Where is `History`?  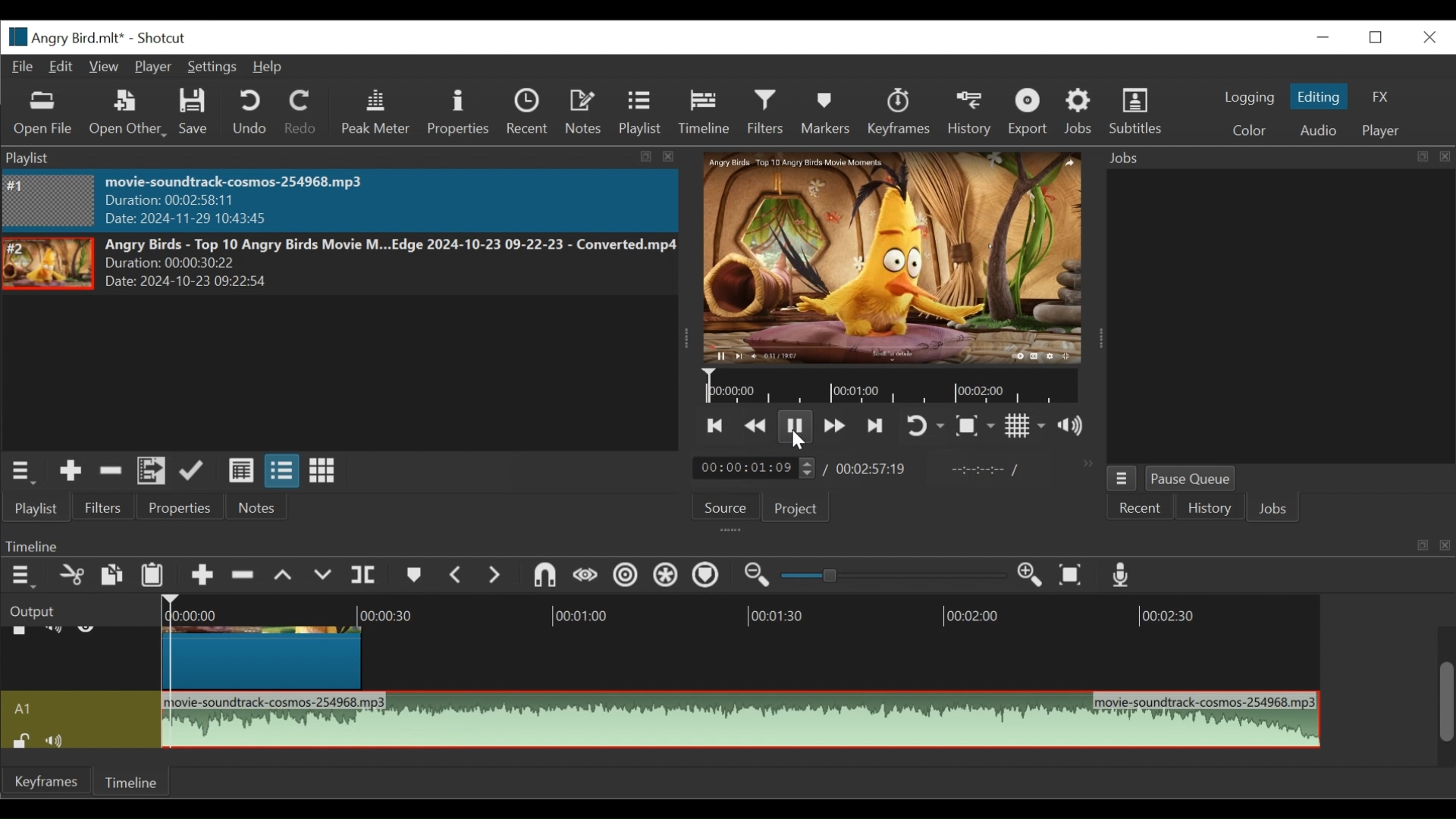 History is located at coordinates (968, 113).